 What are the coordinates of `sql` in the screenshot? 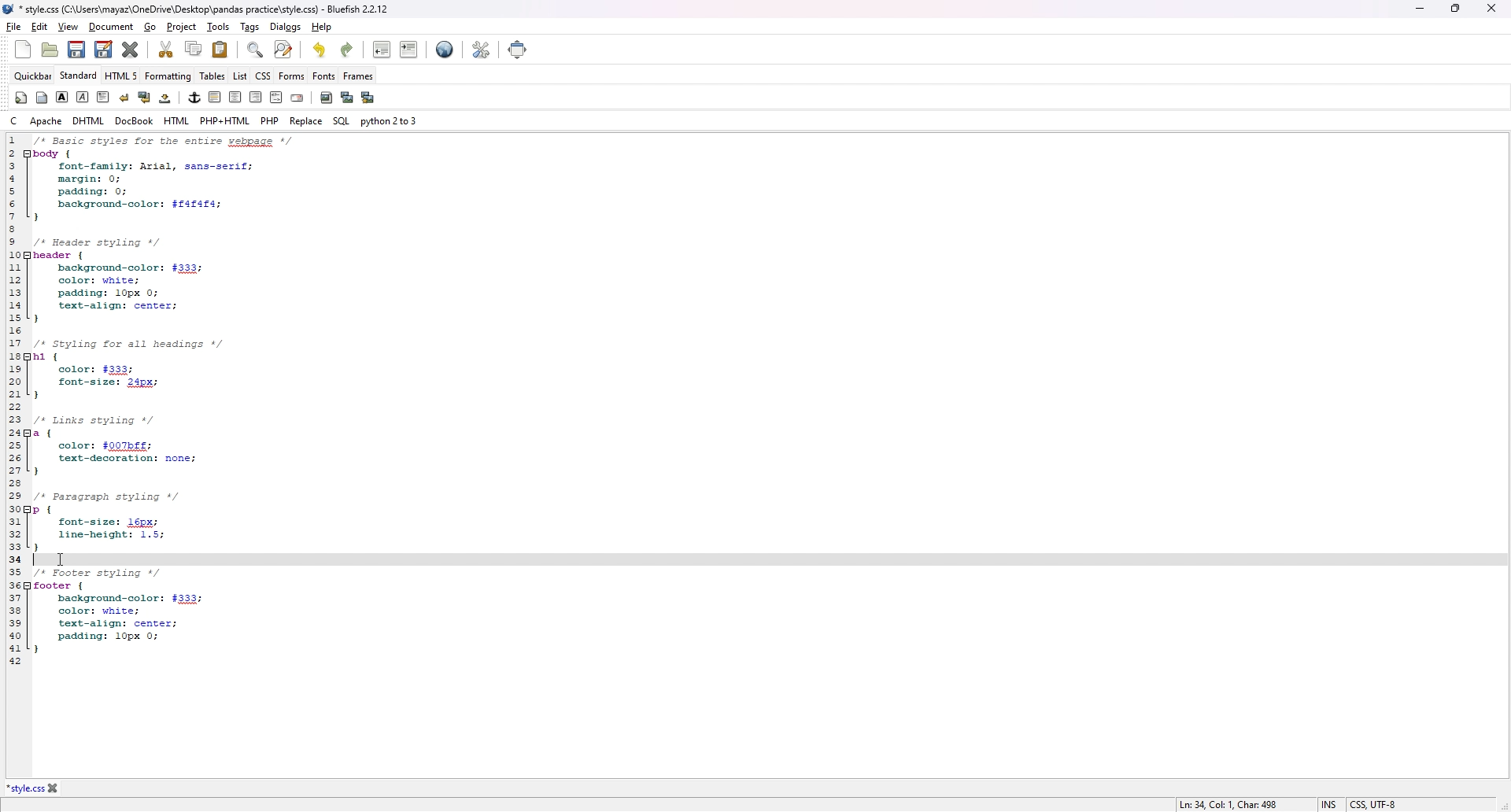 It's located at (341, 122).